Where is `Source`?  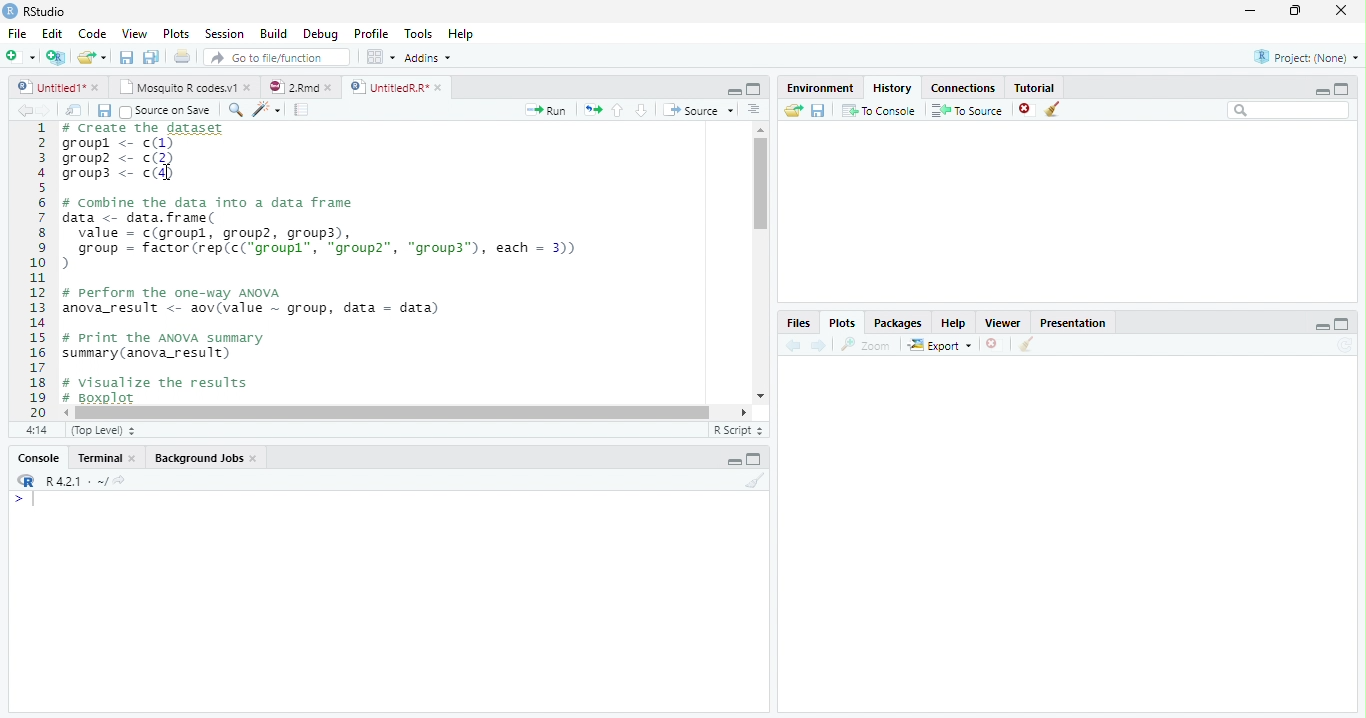
Source is located at coordinates (700, 111).